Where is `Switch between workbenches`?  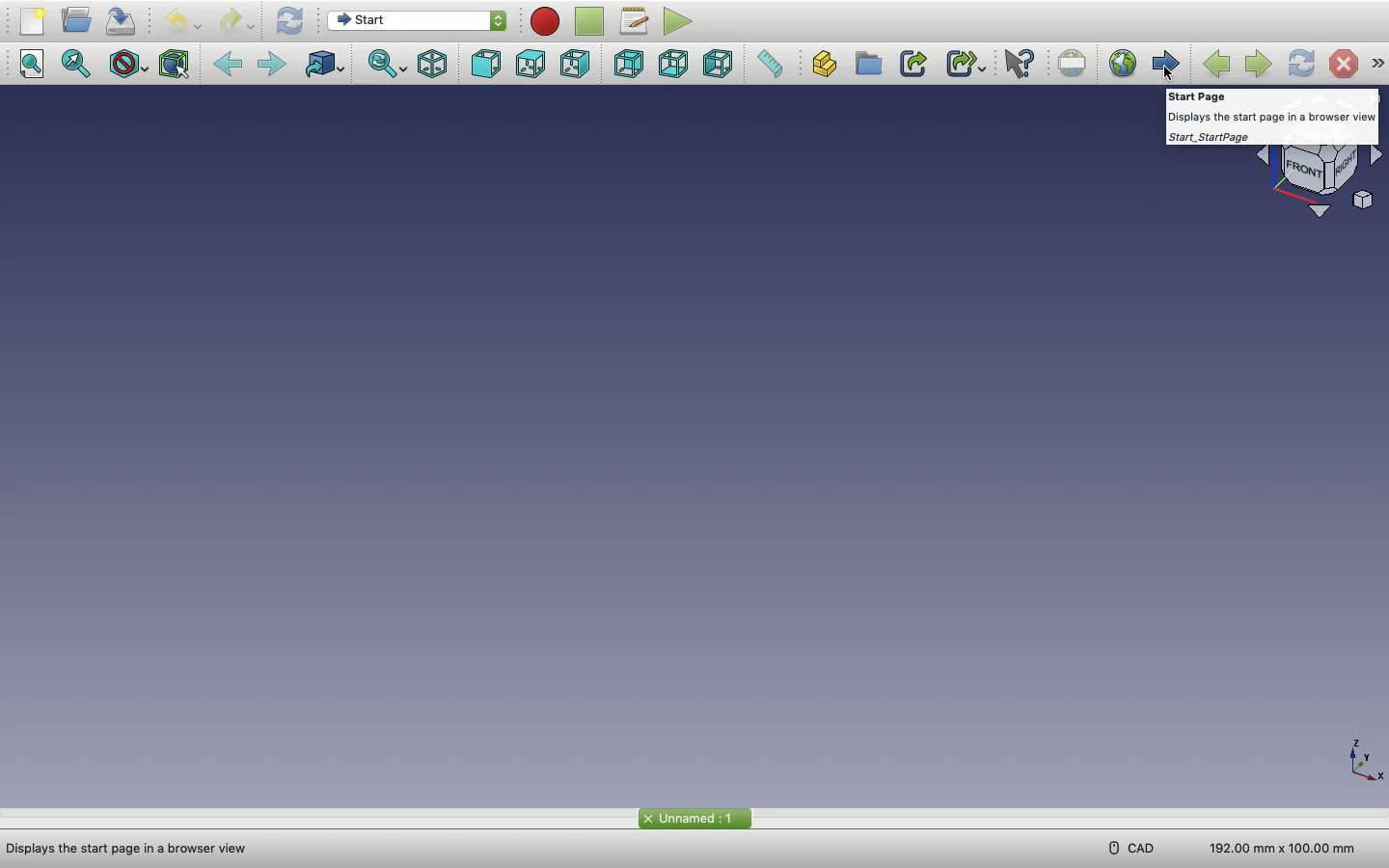
Switch between workbenches is located at coordinates (421, 22).